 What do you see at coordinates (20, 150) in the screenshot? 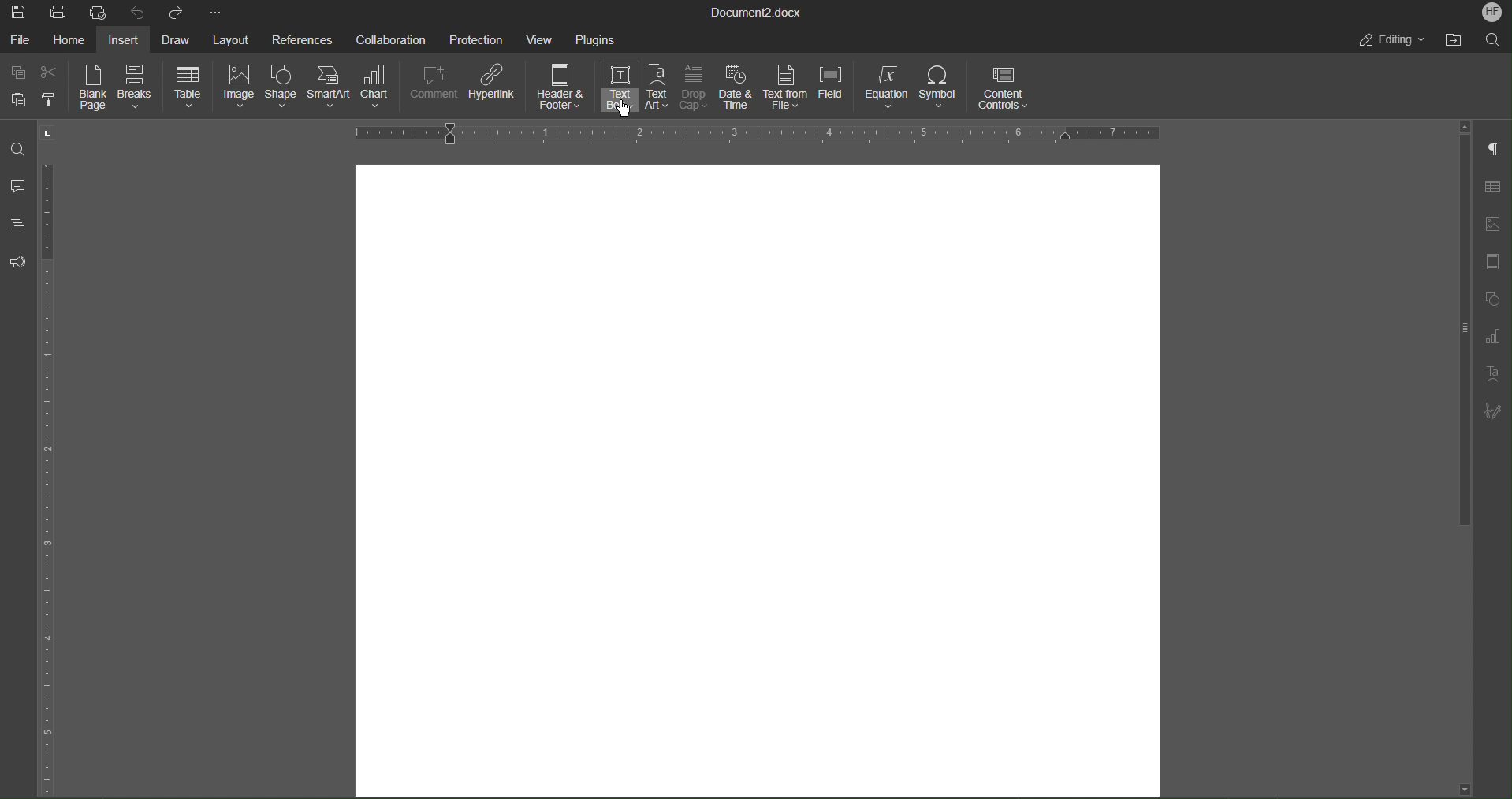
I see `Find` at bounding box center [20, 150].